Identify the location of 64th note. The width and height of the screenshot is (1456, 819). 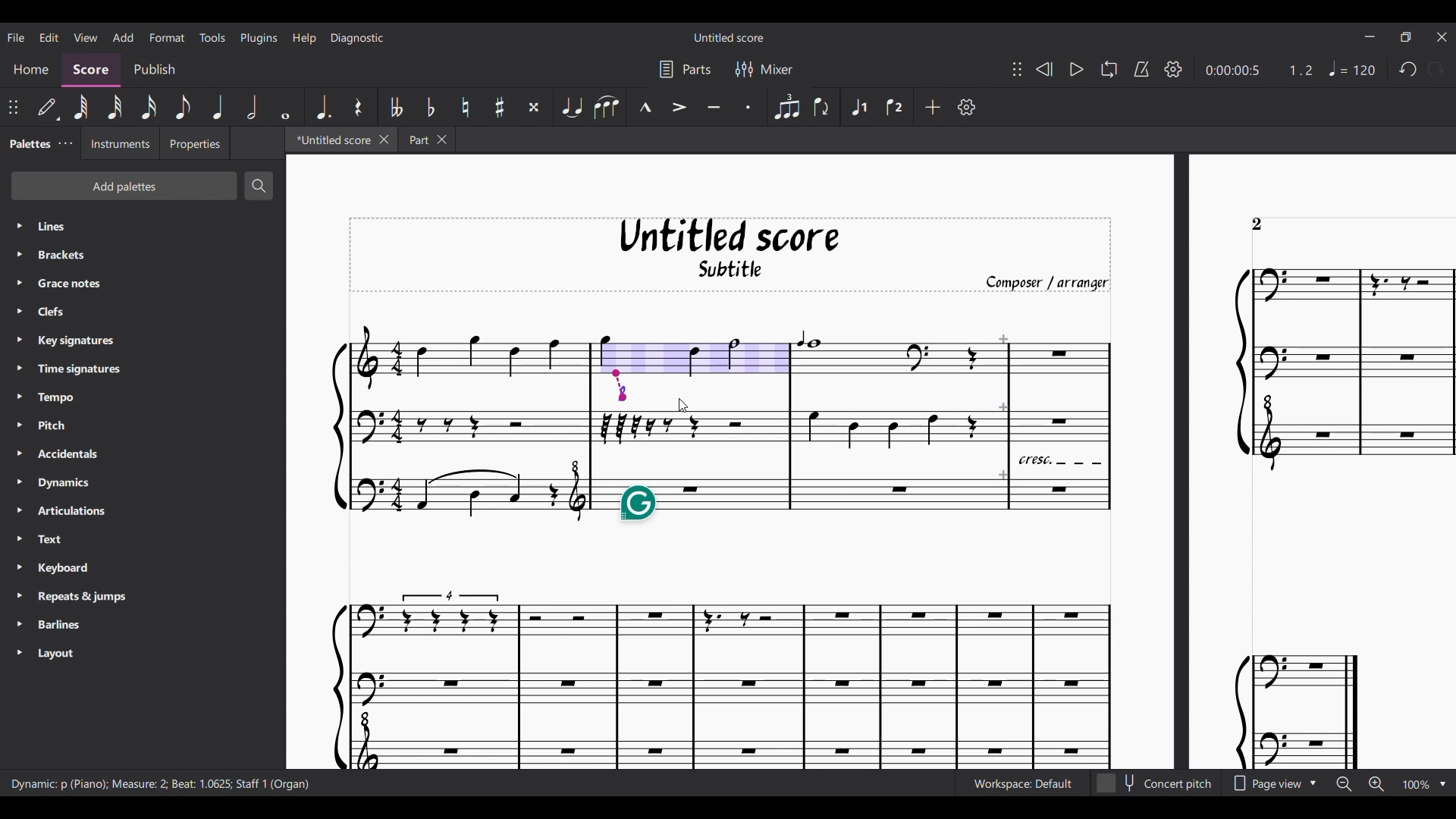
(81, 107).